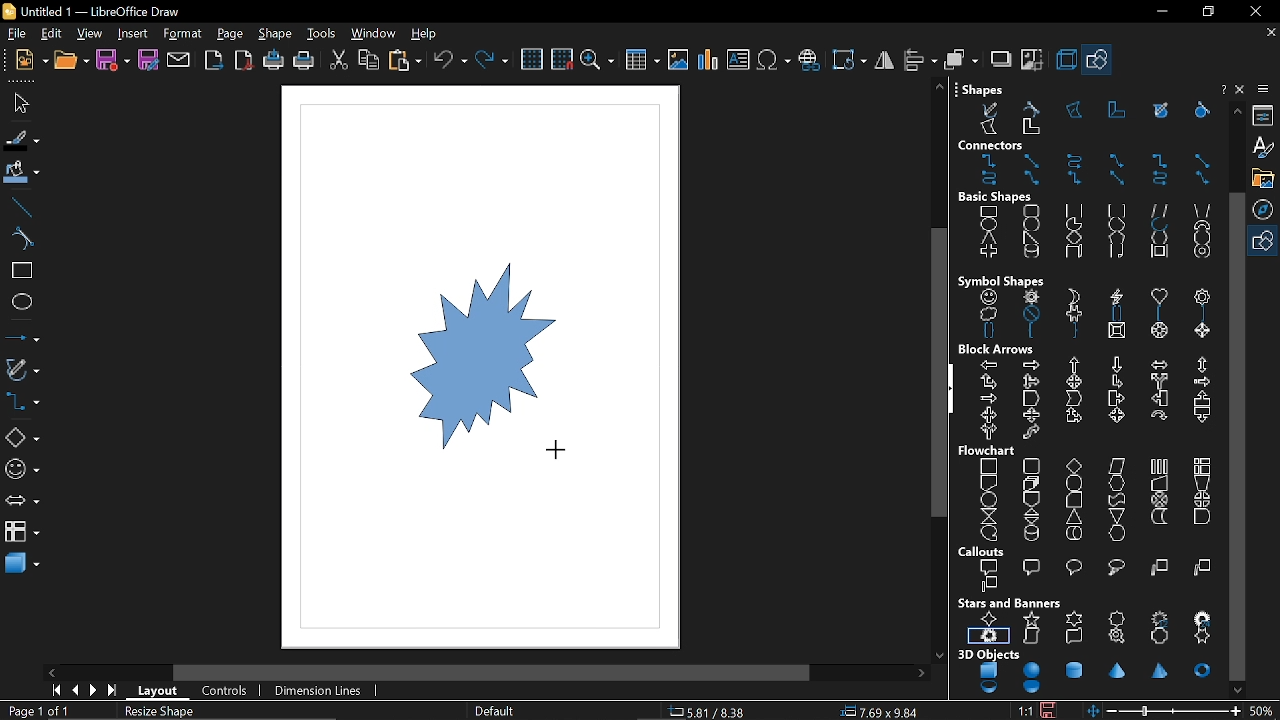 The height and width of the screenshot is (720, 1280). Describe the element at coordinates (1265, 242) in the screenshot. I see `Basic shapes` at that location.